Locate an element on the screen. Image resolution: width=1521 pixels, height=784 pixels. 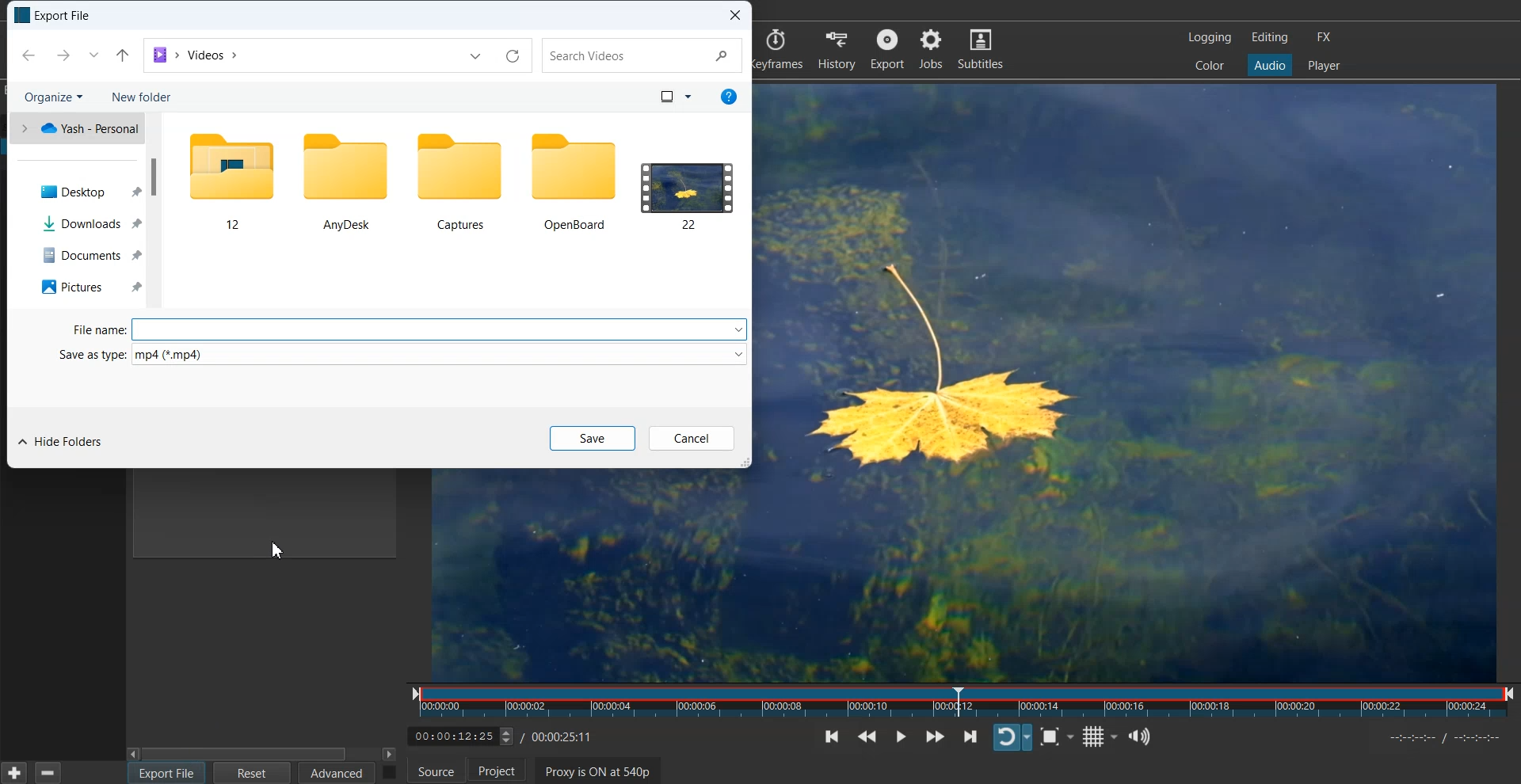
Toggle grid display on the player is located at coordinates (1101, 736).